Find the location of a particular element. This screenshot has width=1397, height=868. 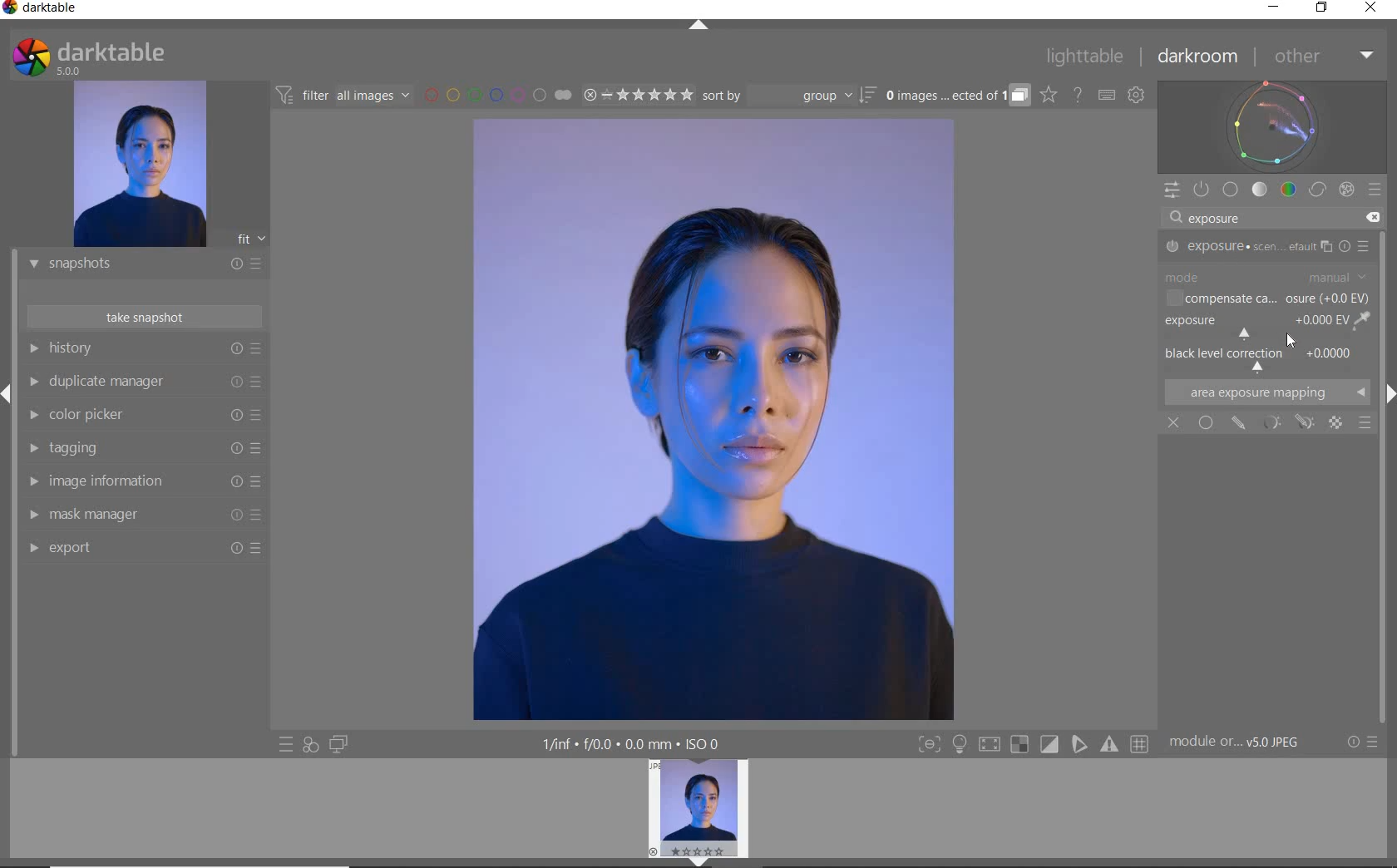

CLICK TO CHANGE THE OVERLAYS SHOWN ON THUMBNAILS is located at coordinates (1049, 95).